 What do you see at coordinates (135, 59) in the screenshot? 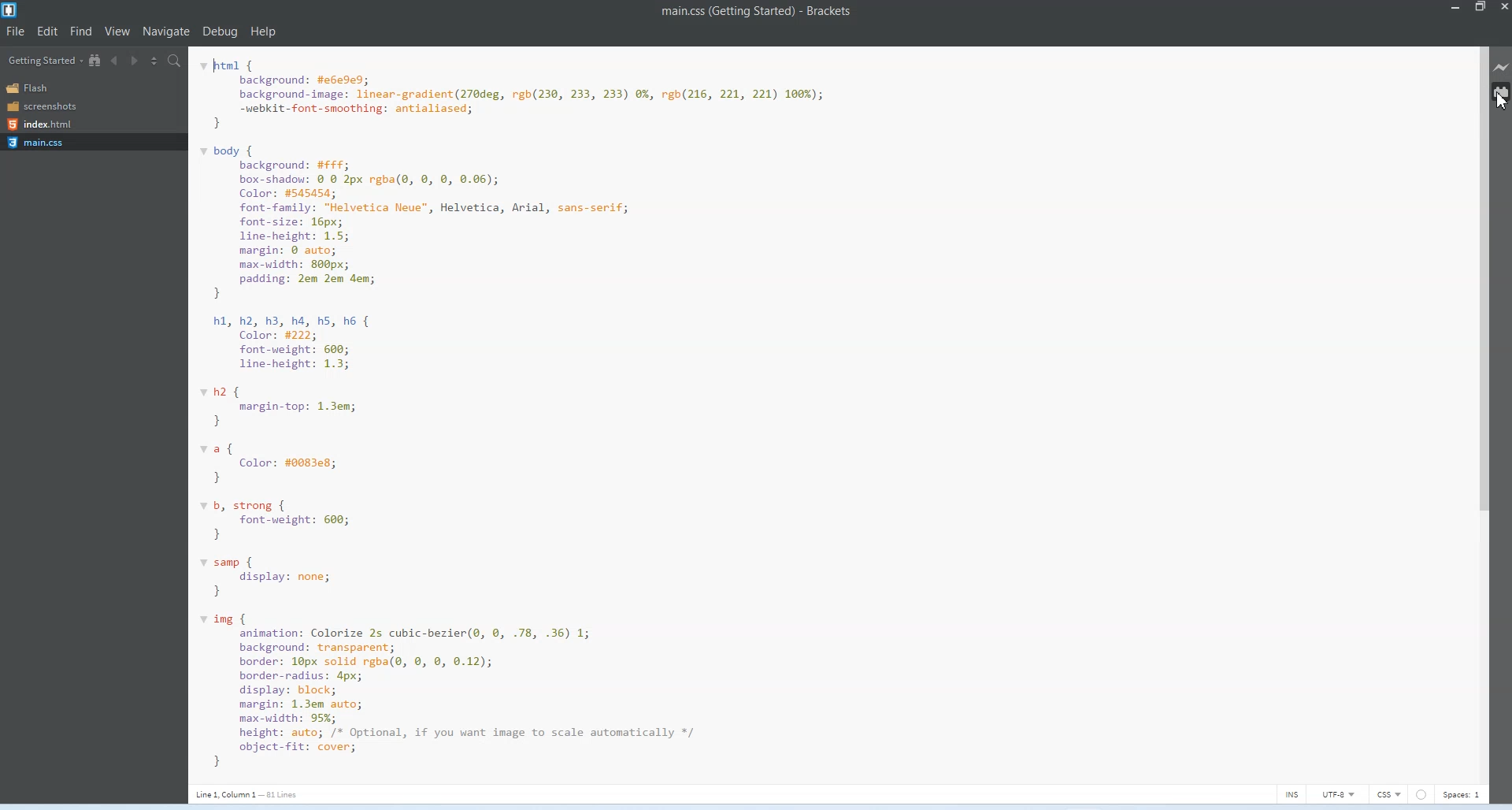
I see `Navigate Forwards ` at bounding box center [135, 59].